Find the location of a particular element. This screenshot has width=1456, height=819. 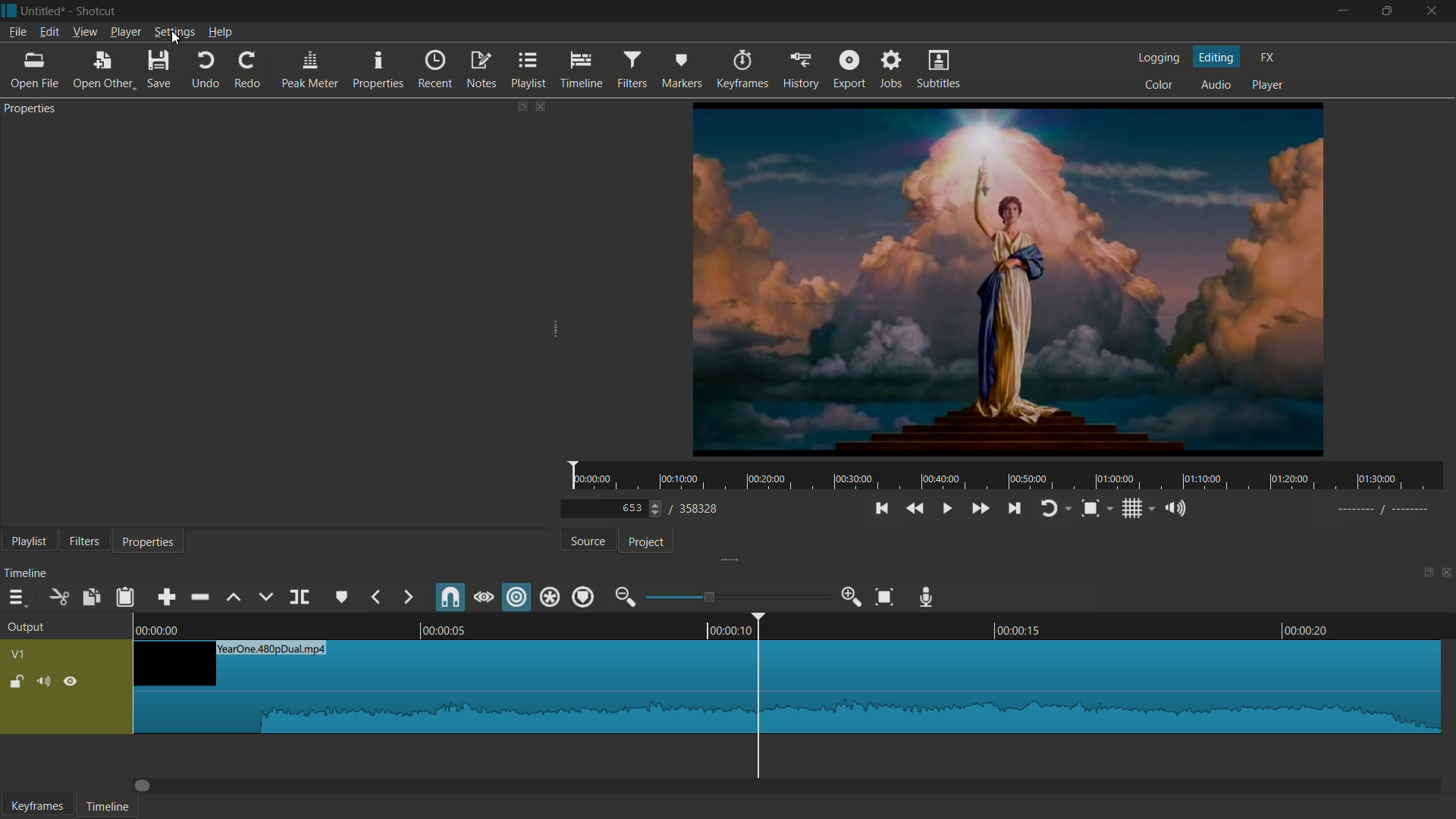

player menu is located at coordinates (127, 32).